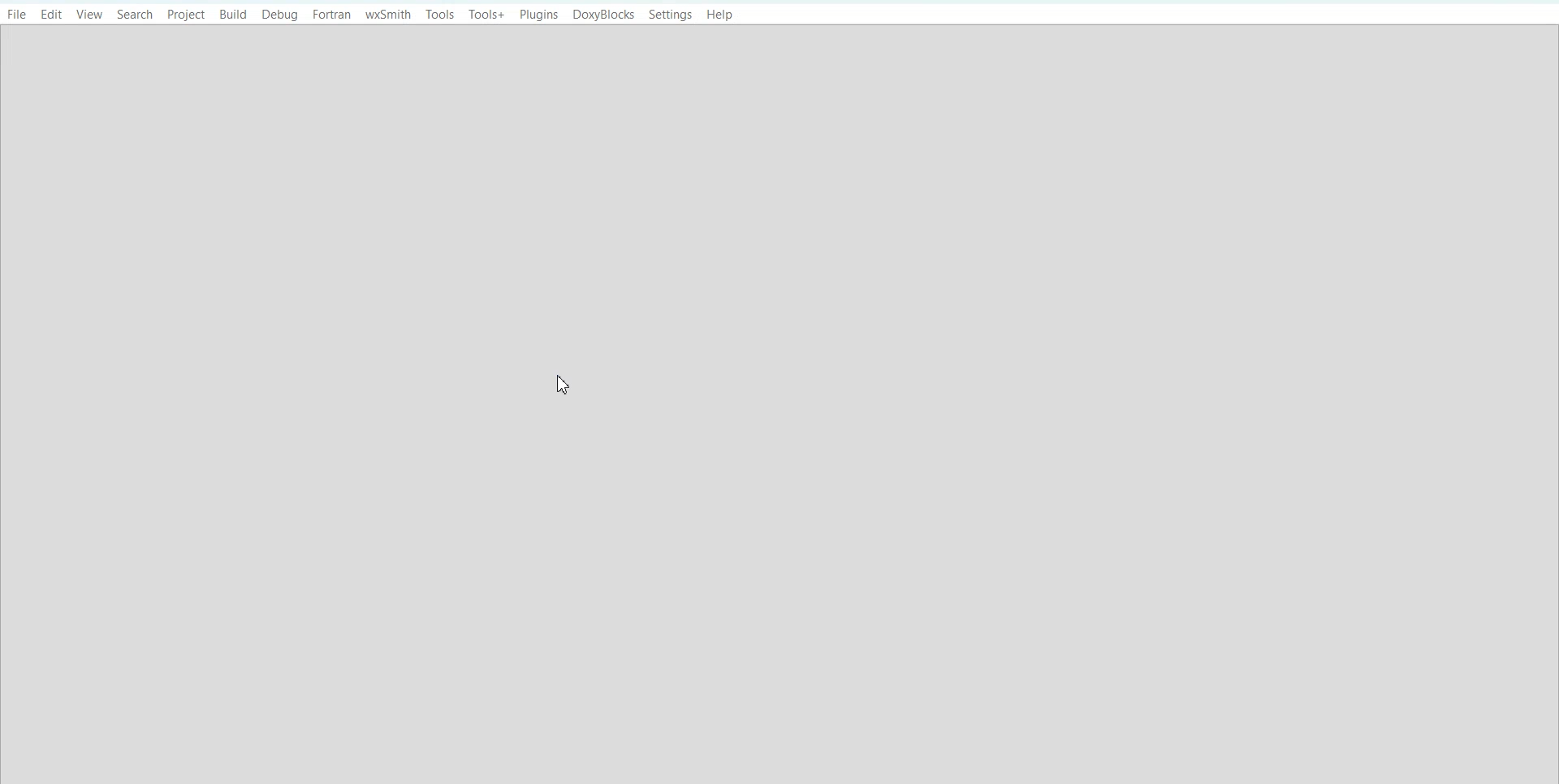  Describe the element at coordinates (331, 15) in the screenshot. I see `Fortran` at that location.